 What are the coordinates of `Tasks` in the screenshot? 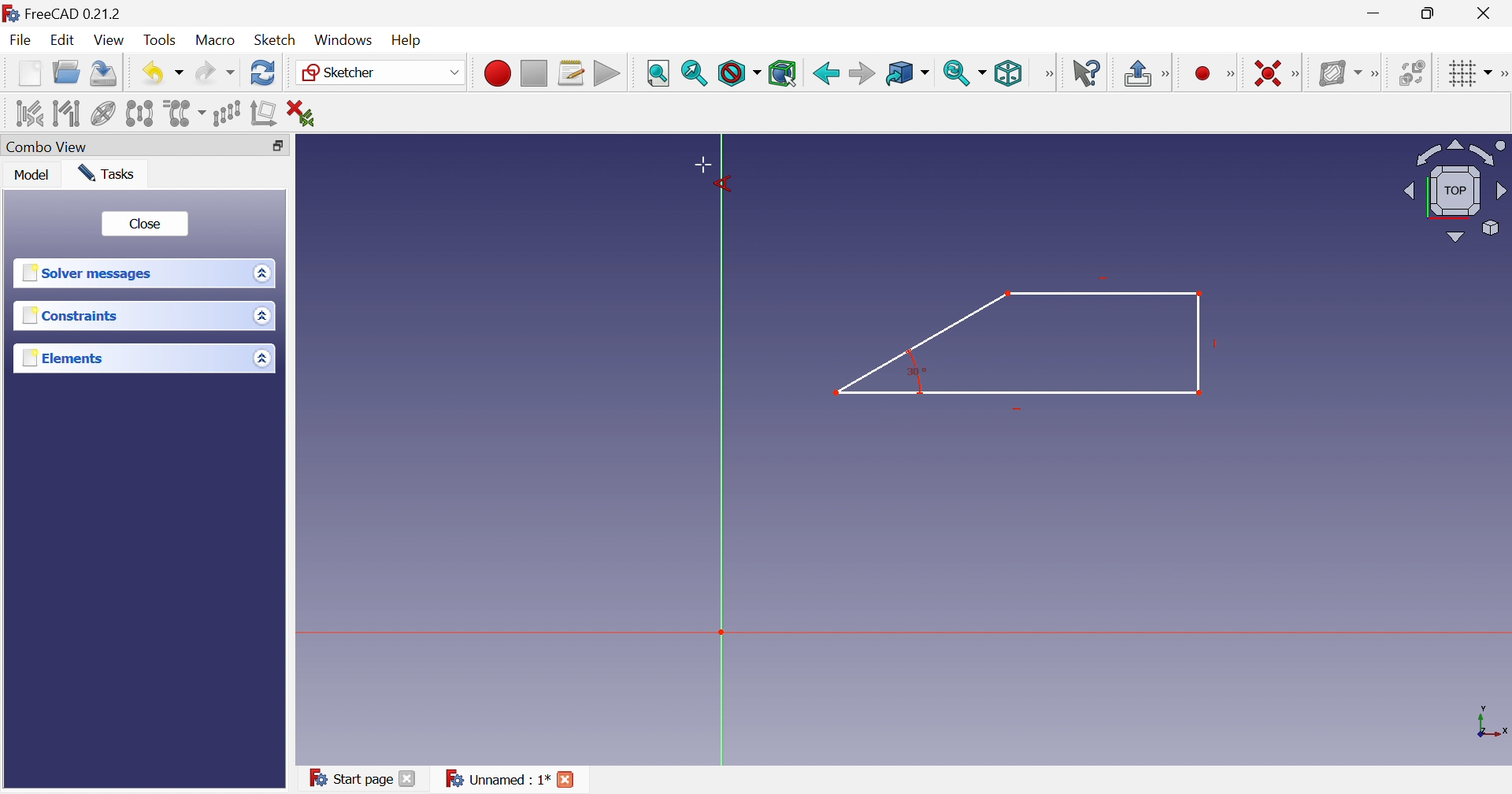 It's located at (110, 173).